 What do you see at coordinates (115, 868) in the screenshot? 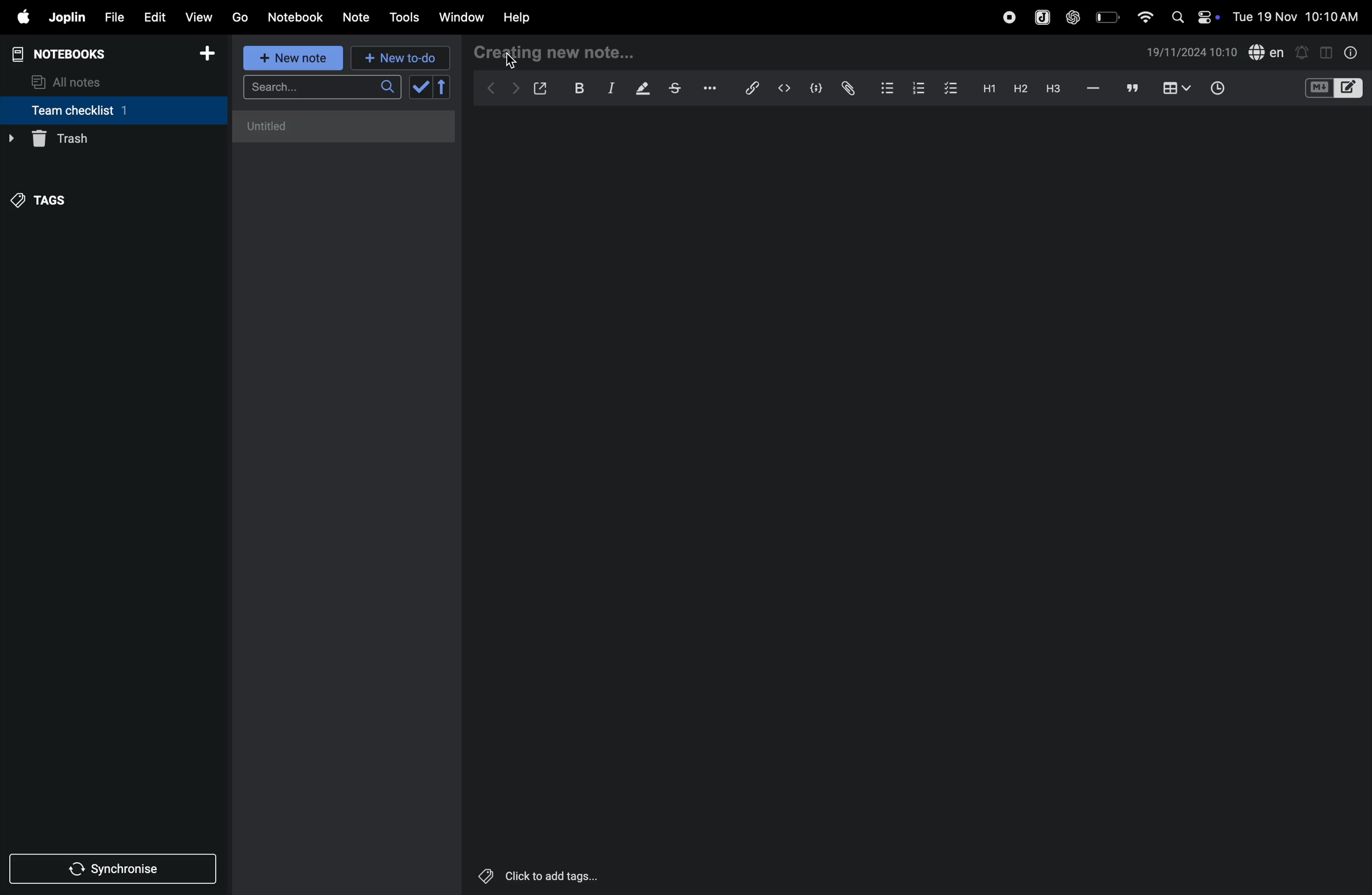
I see `synchronise` at bounding box center [115, 868].